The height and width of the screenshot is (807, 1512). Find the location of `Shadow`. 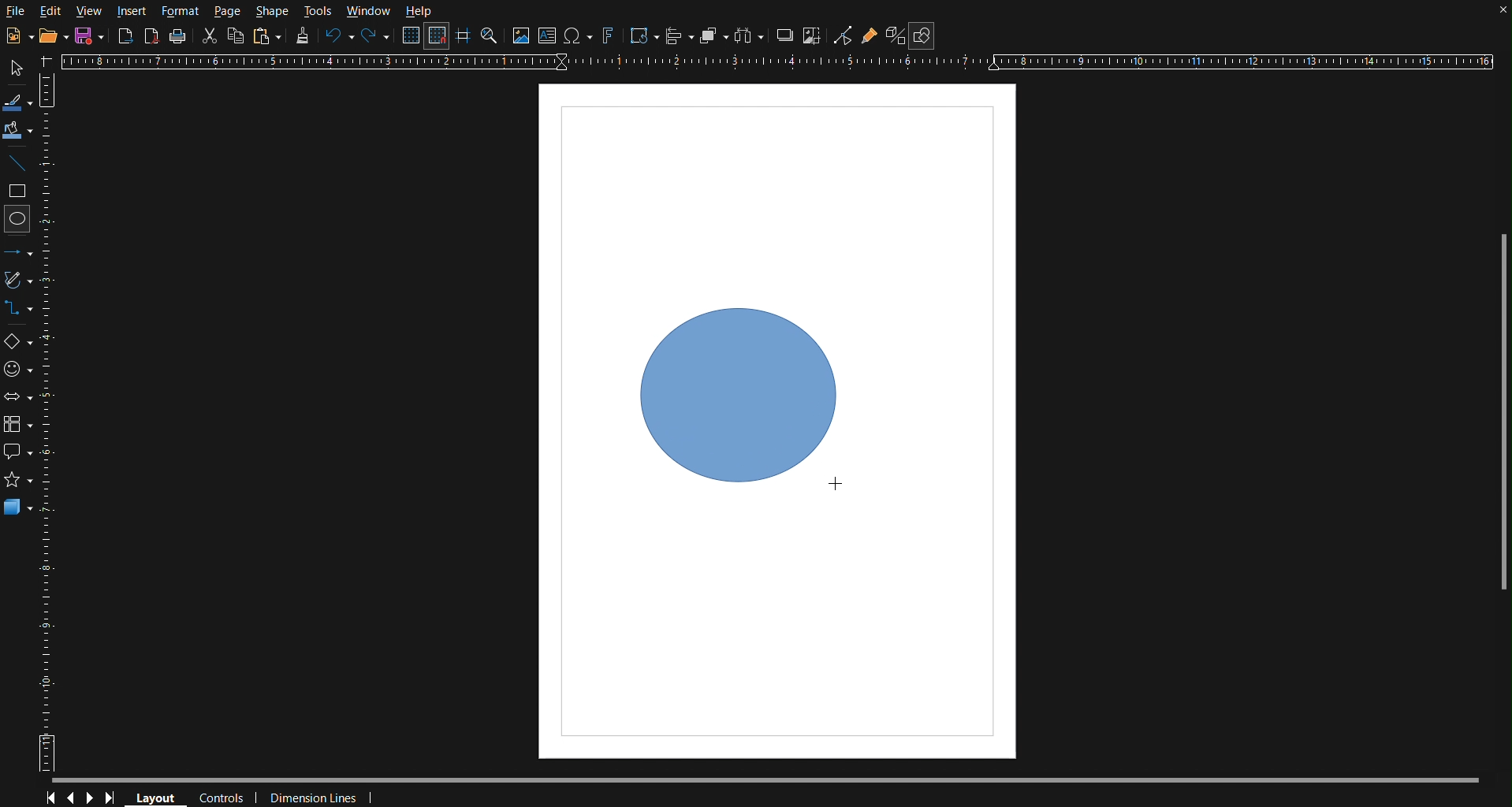

Shadow is located at coordinates (785, 36).